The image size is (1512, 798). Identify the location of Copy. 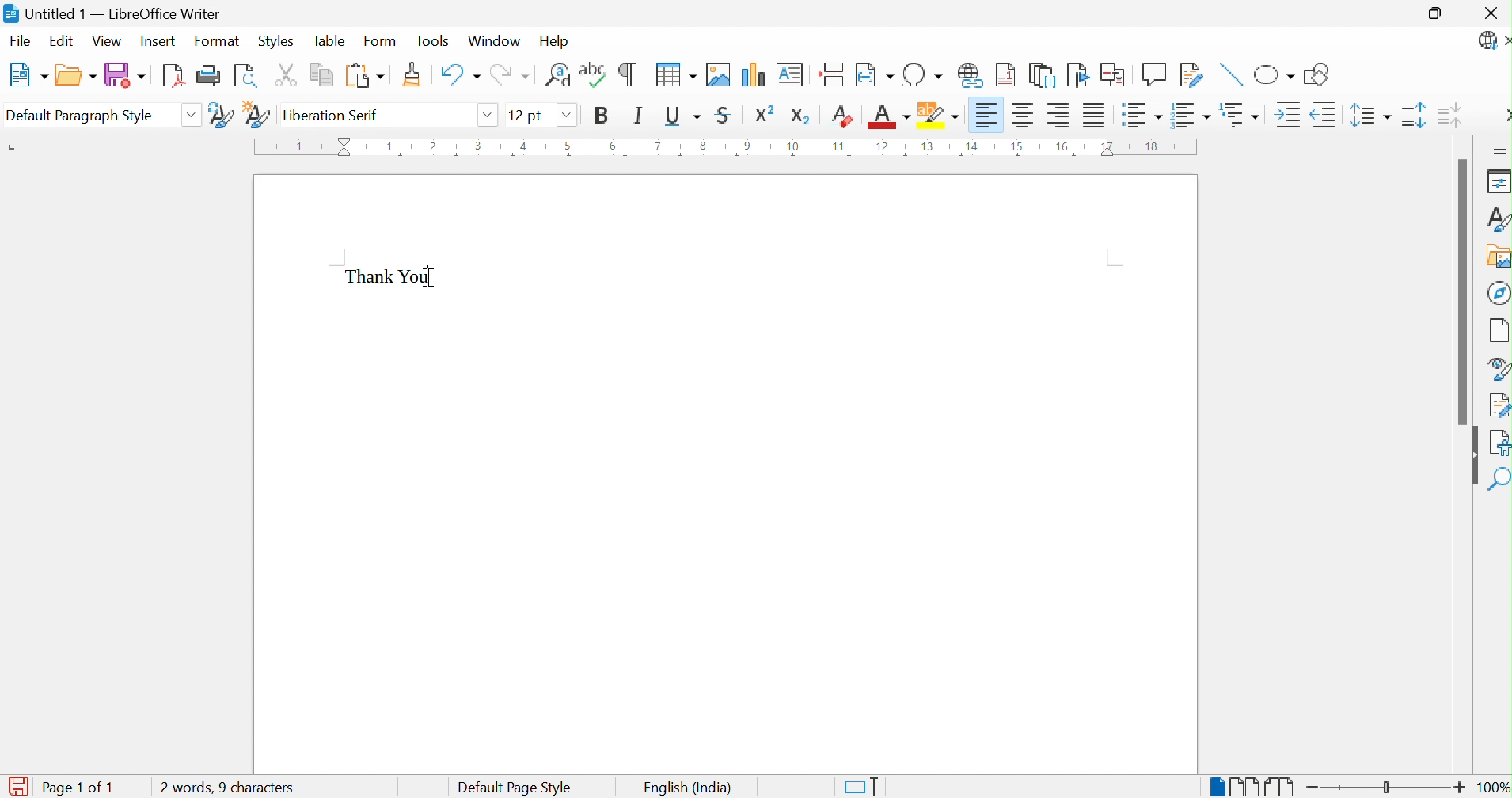
(319, 74).